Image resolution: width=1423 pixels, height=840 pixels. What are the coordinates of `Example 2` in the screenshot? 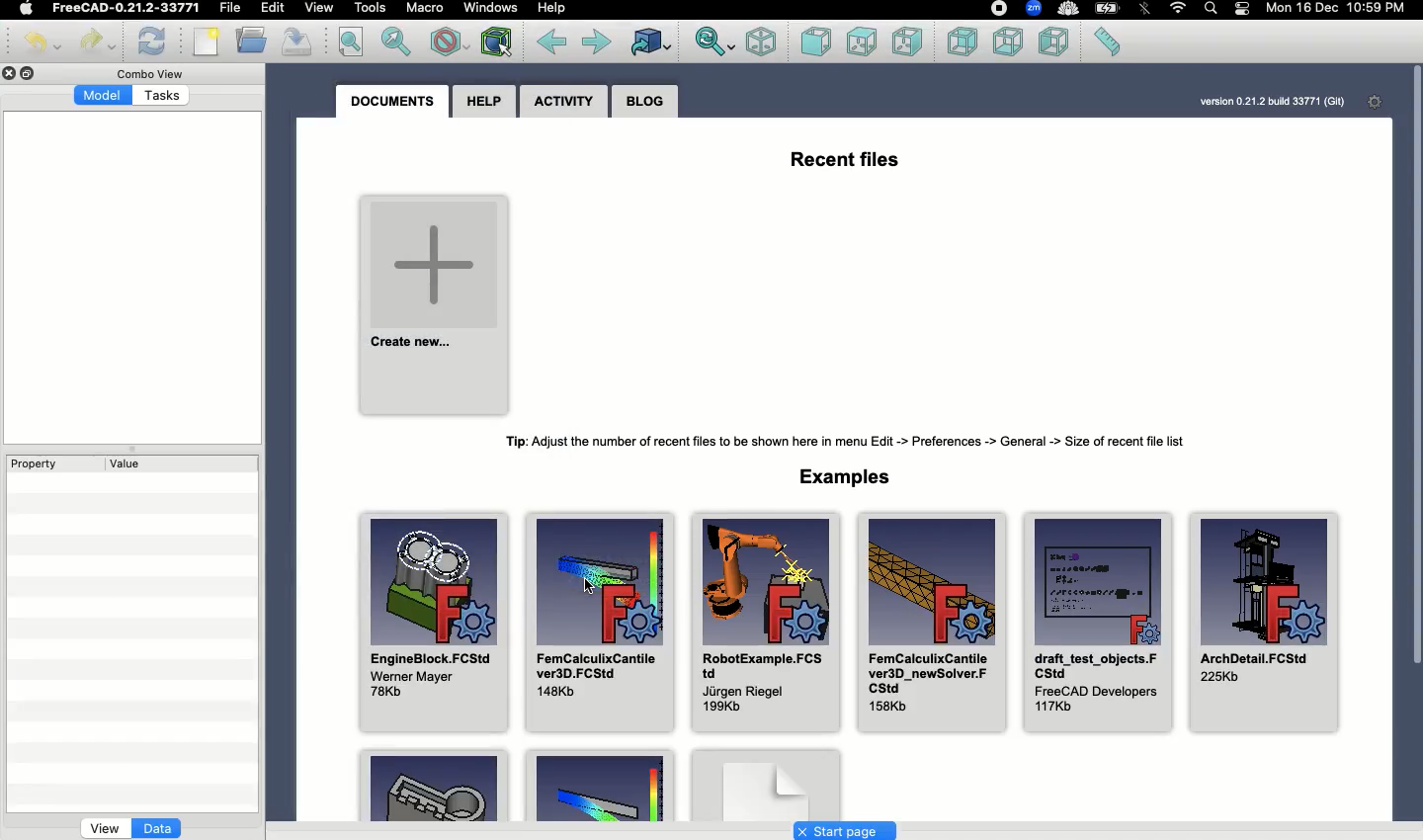 It's located at (600, 785).